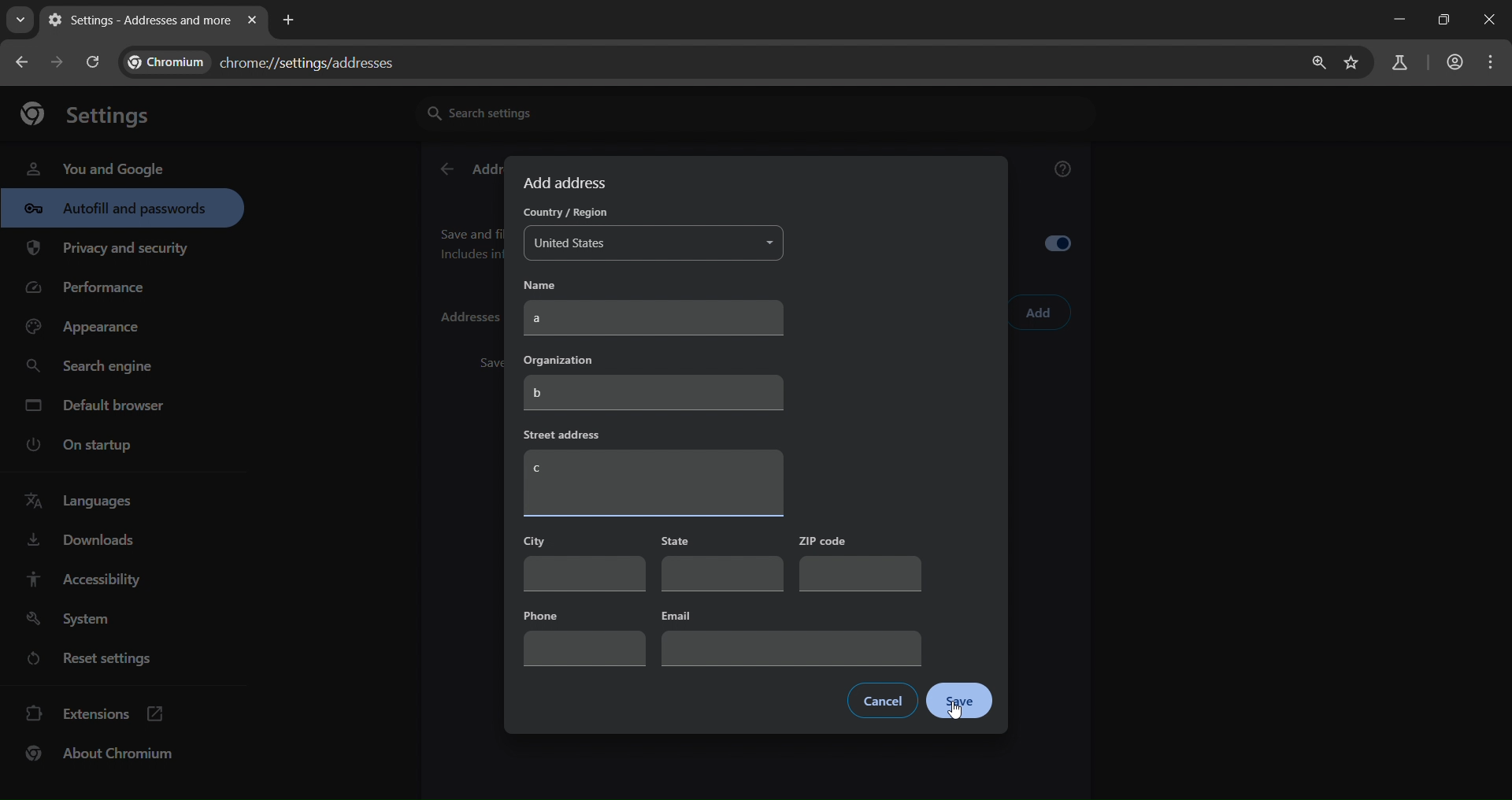 The width and height of the screenshot is (1512, 800). What do you see at coordinates (94, 167) in the screenshot?
I see `you and google ` at bounding box center [94, 167].